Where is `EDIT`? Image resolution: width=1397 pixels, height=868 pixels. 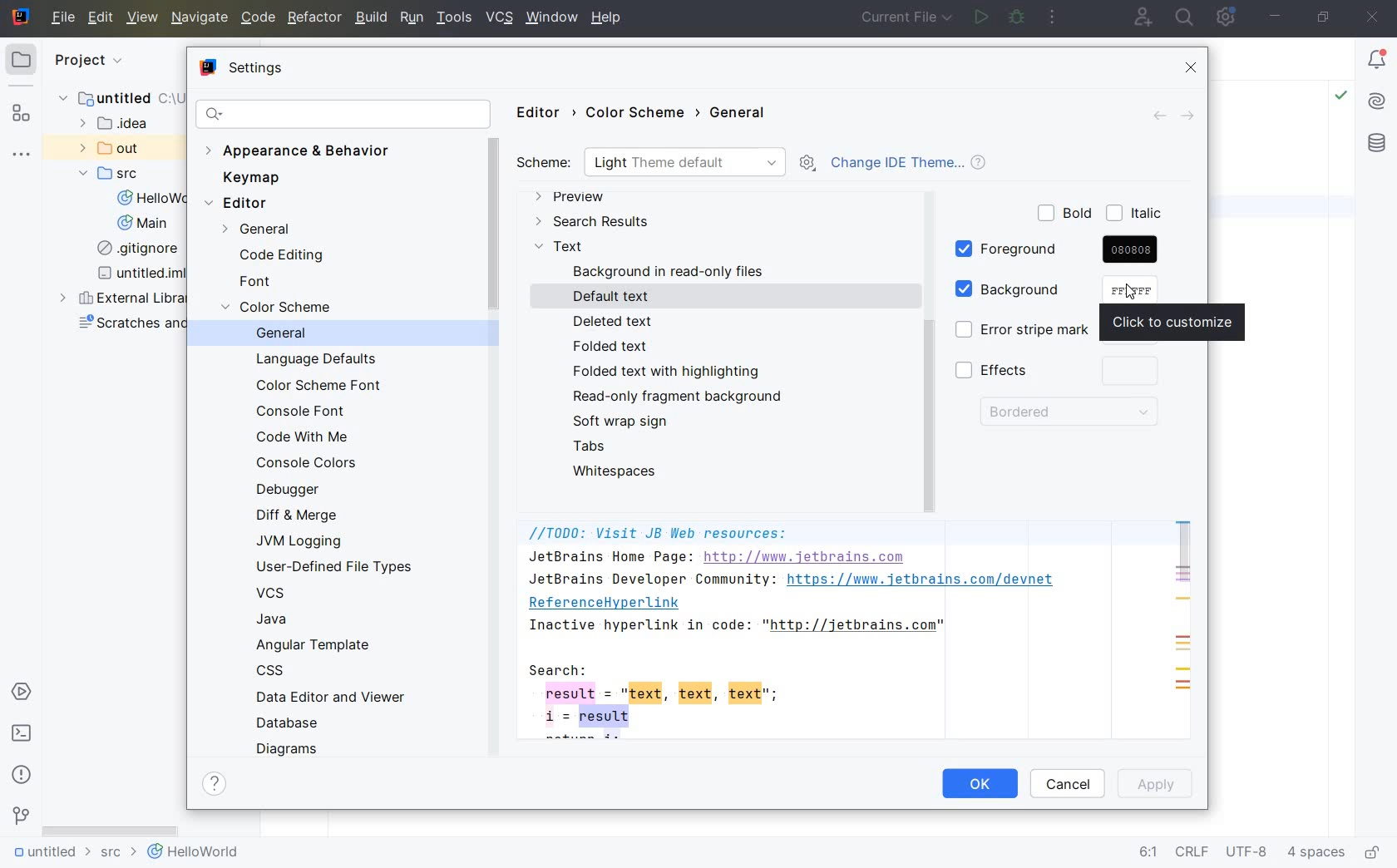 EDIT is located at coordinates (103, 19).